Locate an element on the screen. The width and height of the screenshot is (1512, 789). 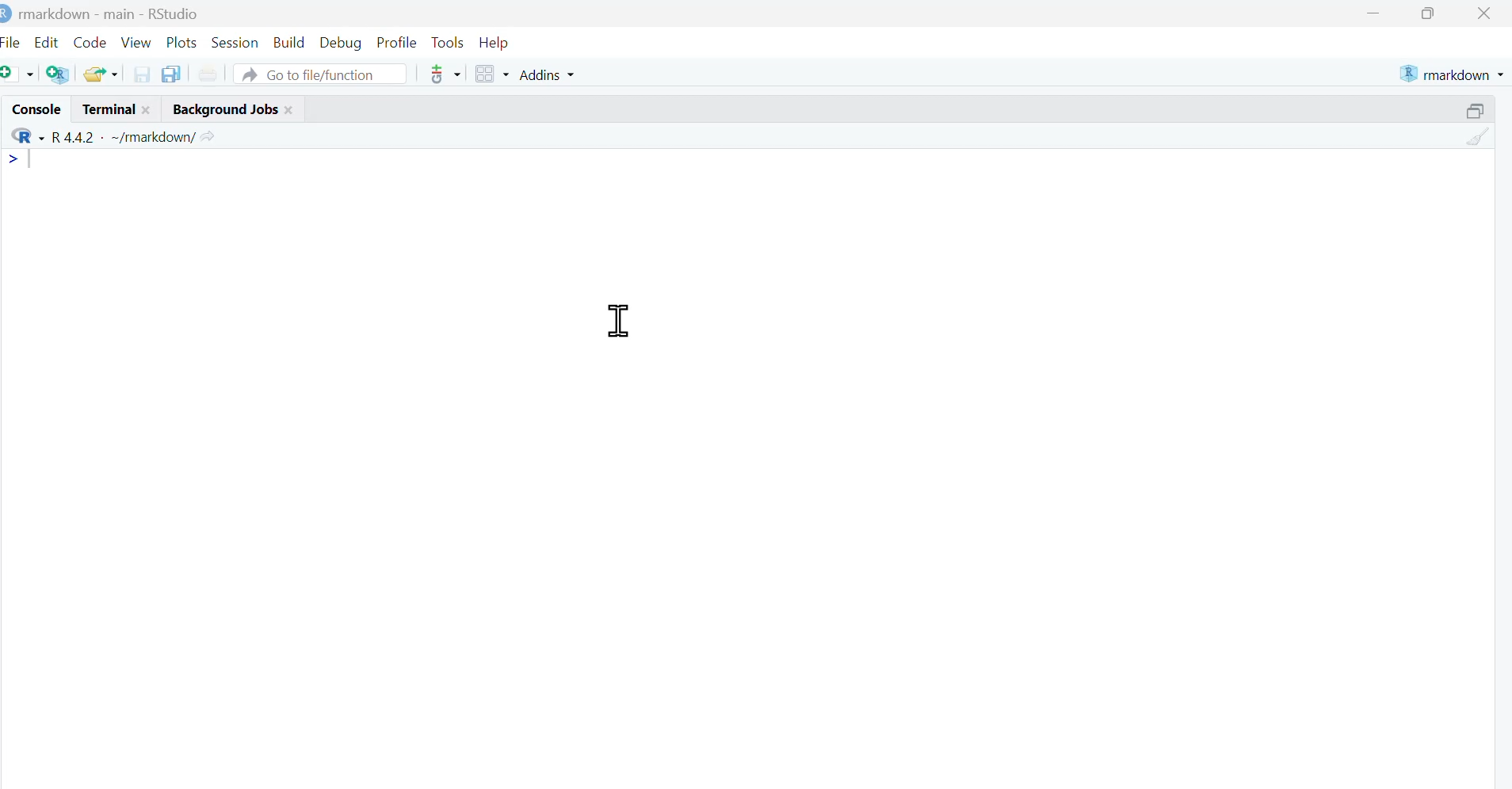
Terminal is located at coordinates (105, 109).